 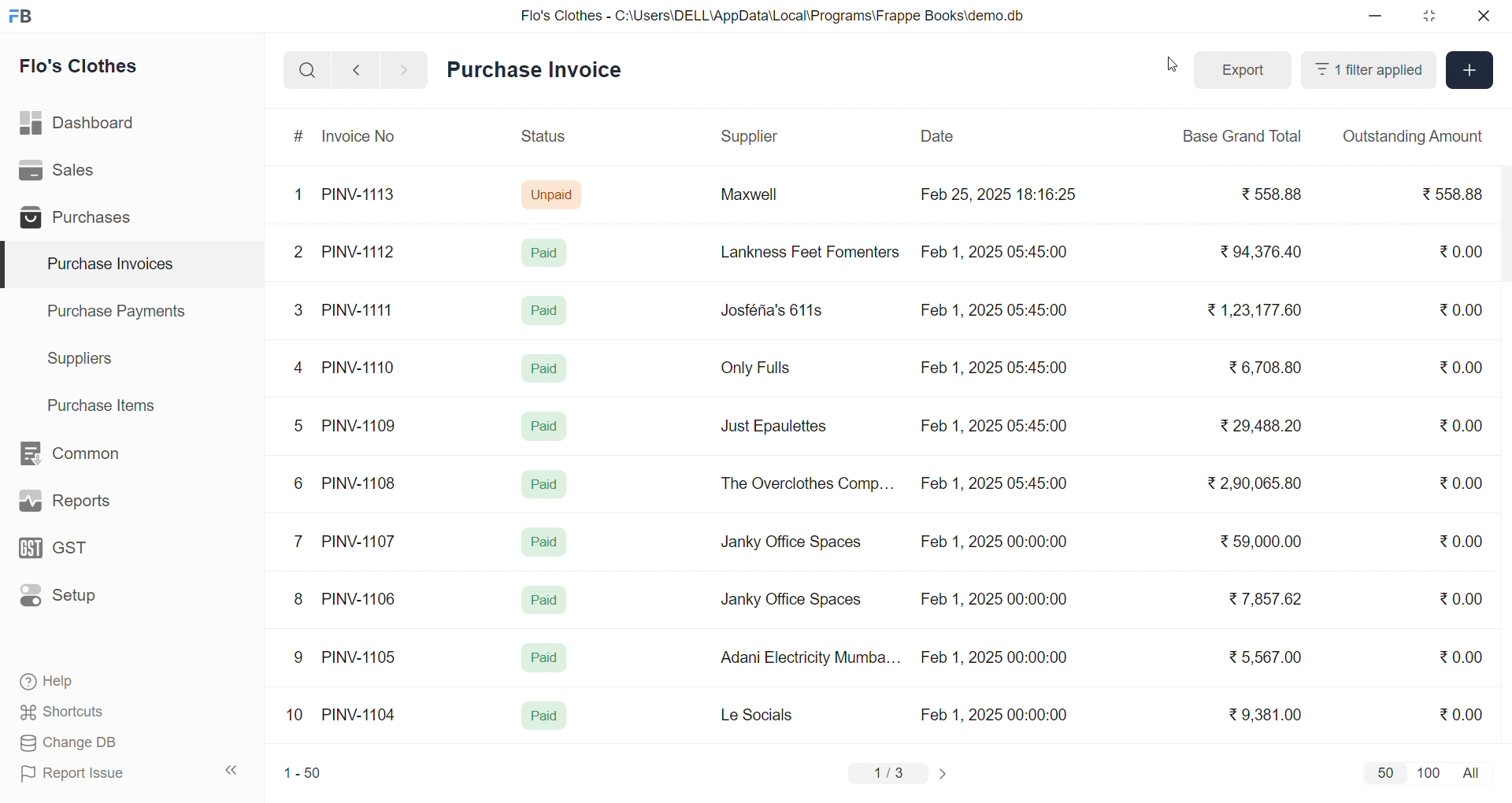 I want to click on Invoice No, so click(x=365, y=137).